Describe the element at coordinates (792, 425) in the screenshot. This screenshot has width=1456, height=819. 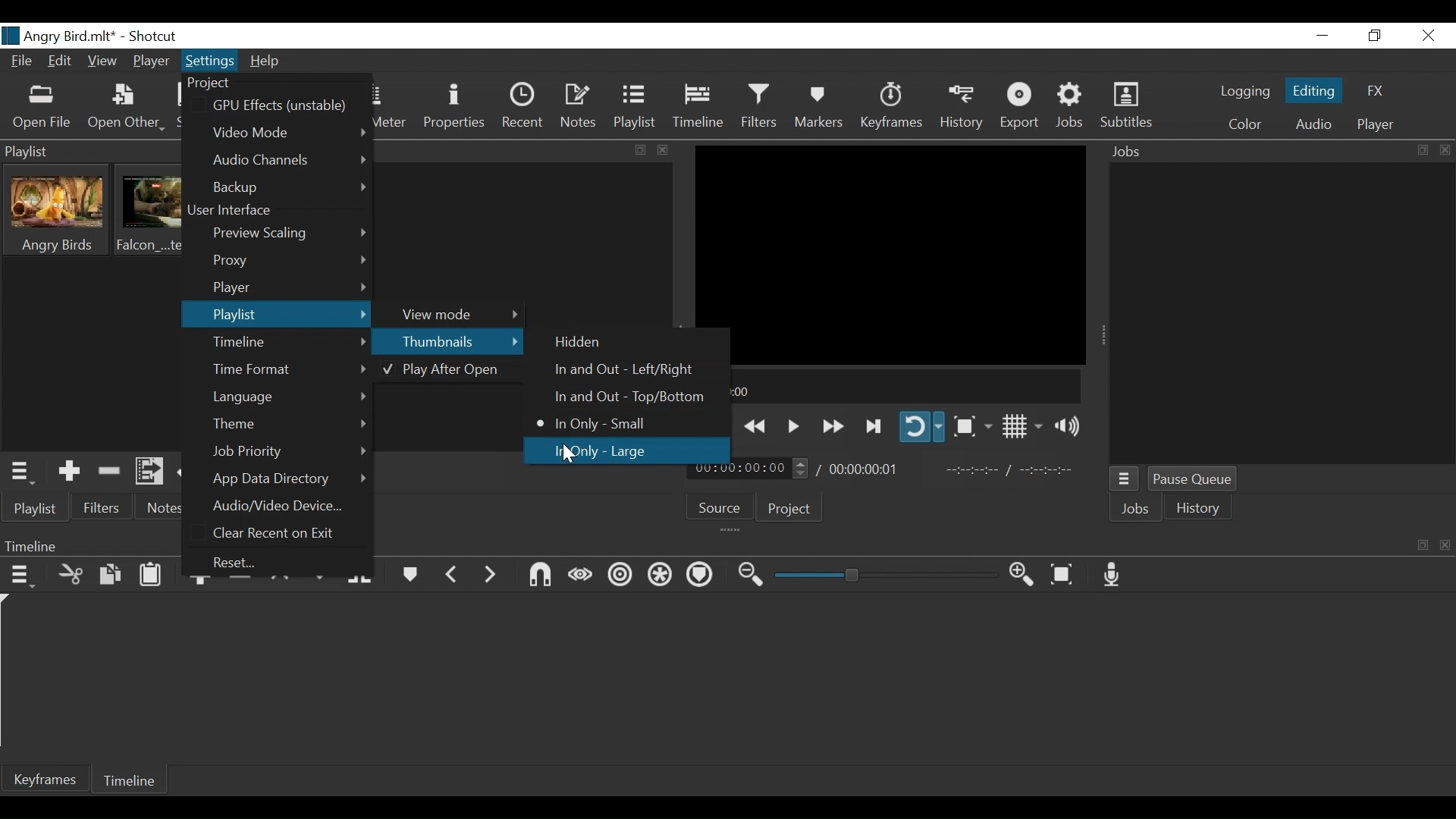
I see `Toggle play or pause (space)` at that location.